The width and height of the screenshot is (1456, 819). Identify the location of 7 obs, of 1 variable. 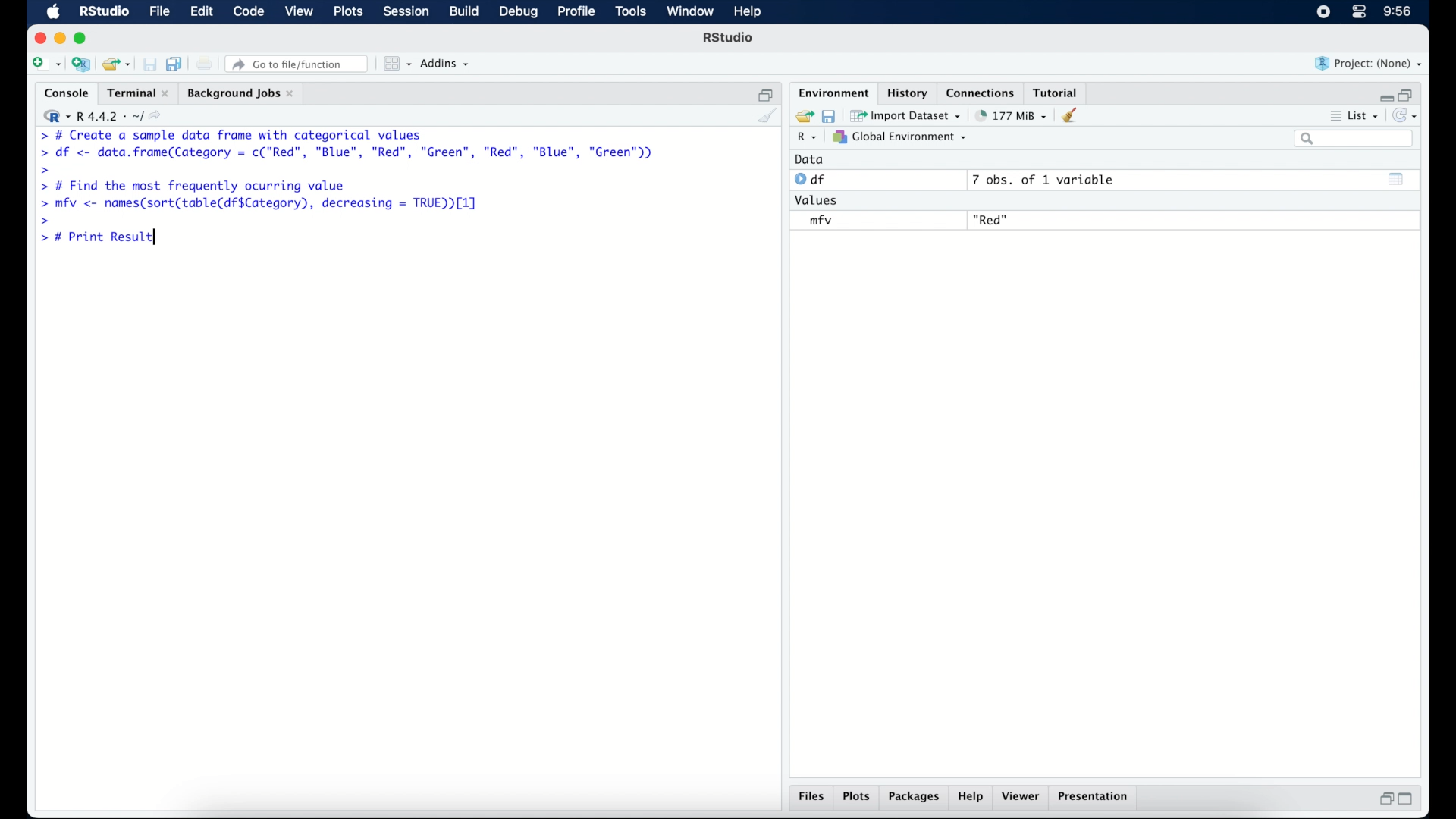
(1043, 180).